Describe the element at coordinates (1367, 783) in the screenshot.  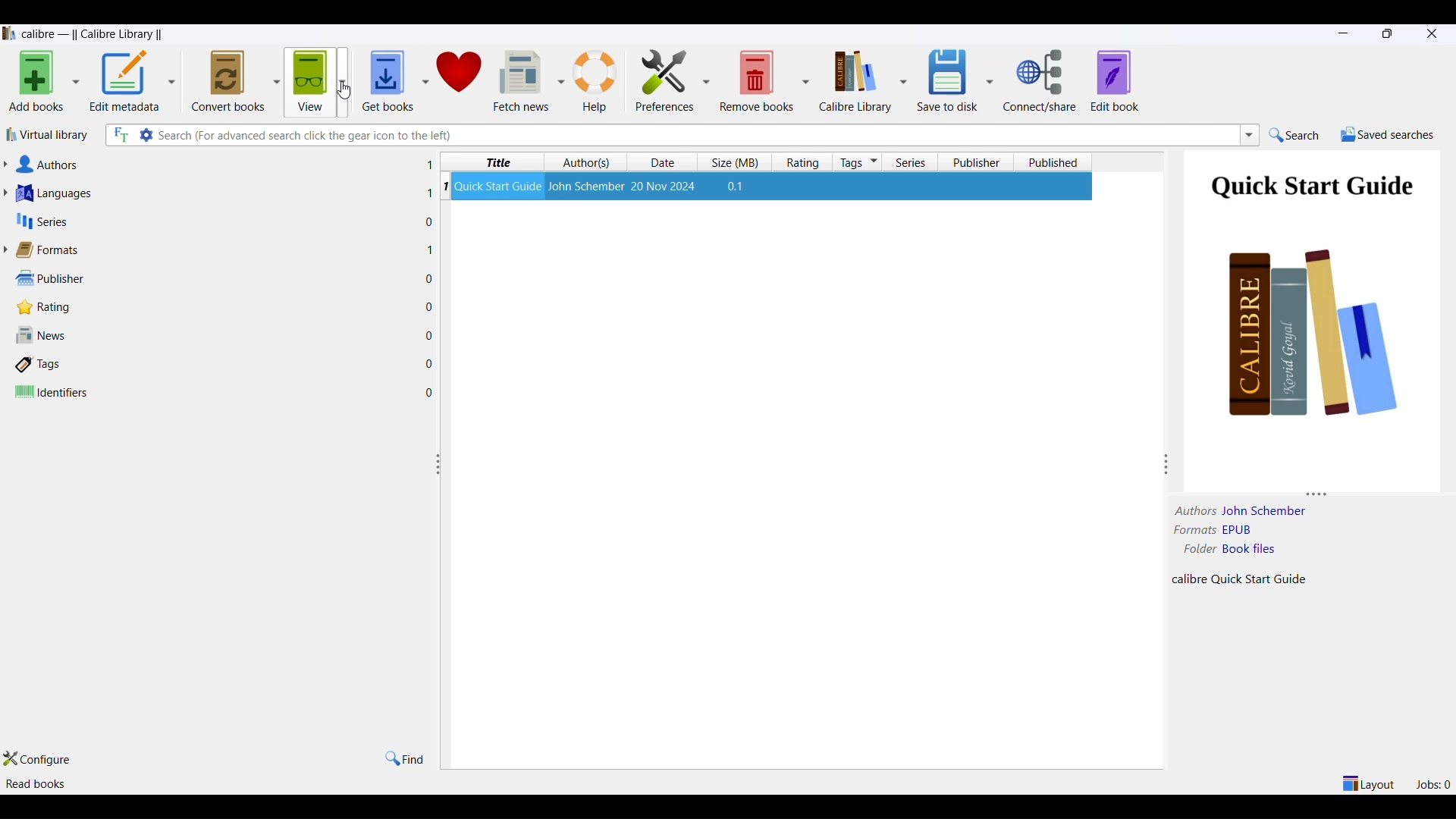
I see `layout` at that location.